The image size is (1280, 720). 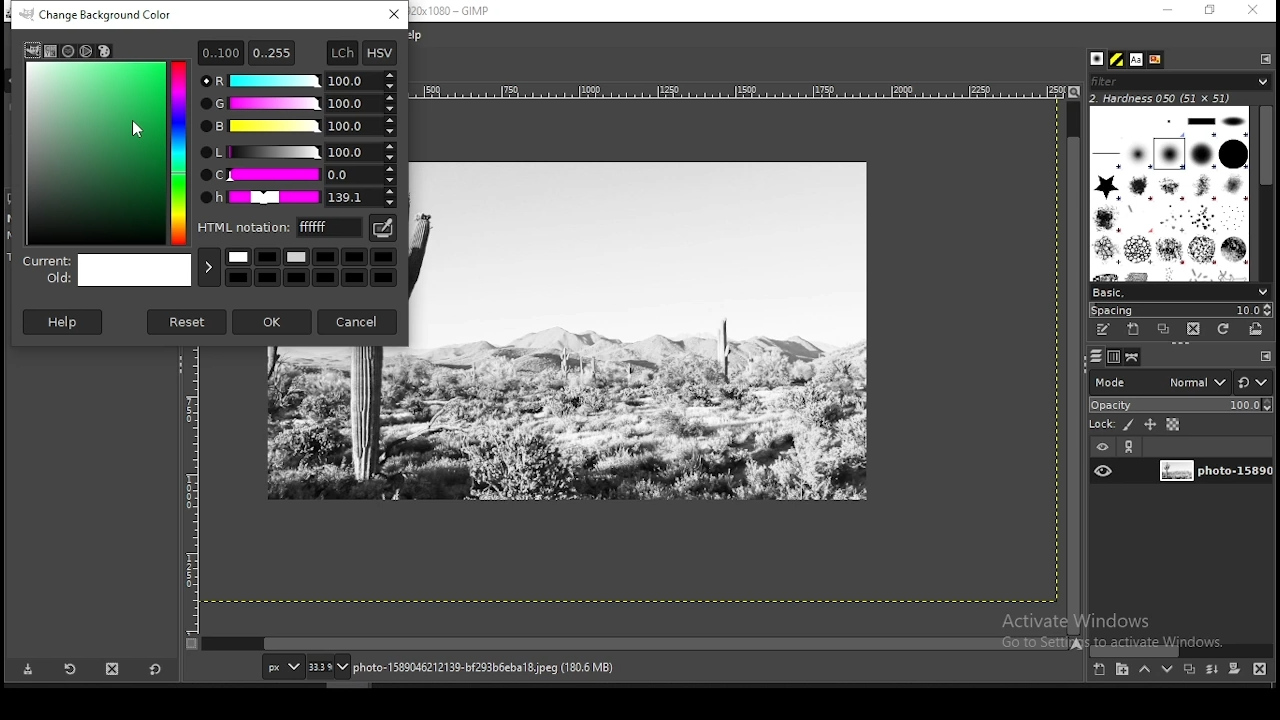 I want to click on color map, so click(x=106, y=152).